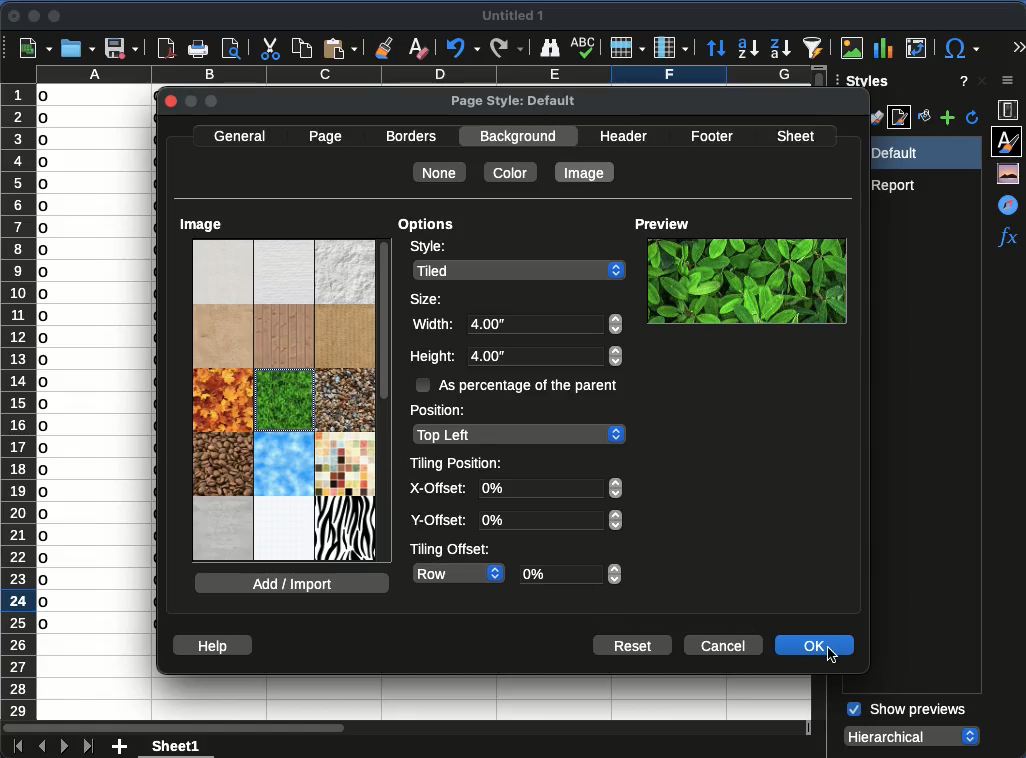 Image resolution: width=1026 pixels, height=758 pixels. I want to click on show previews, so click(905, 710).